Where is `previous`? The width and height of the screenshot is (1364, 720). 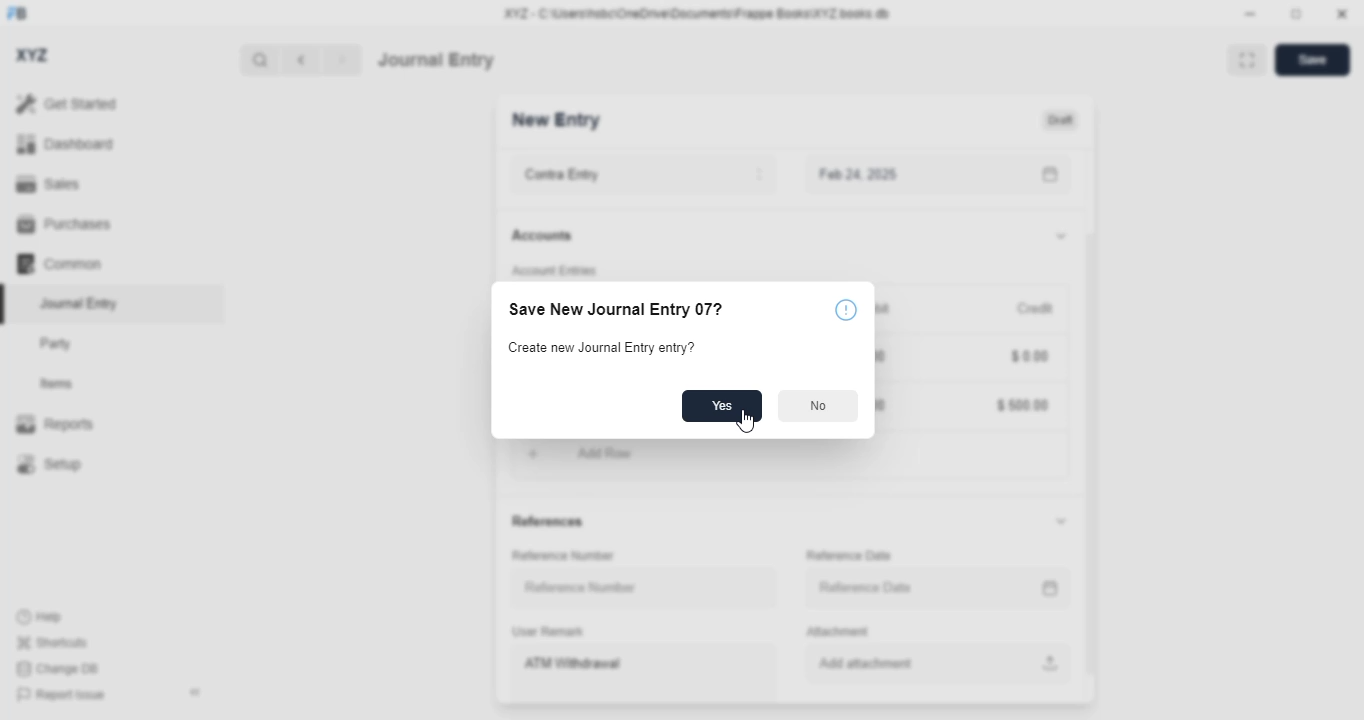 previous is located at coordinates (301, 60).